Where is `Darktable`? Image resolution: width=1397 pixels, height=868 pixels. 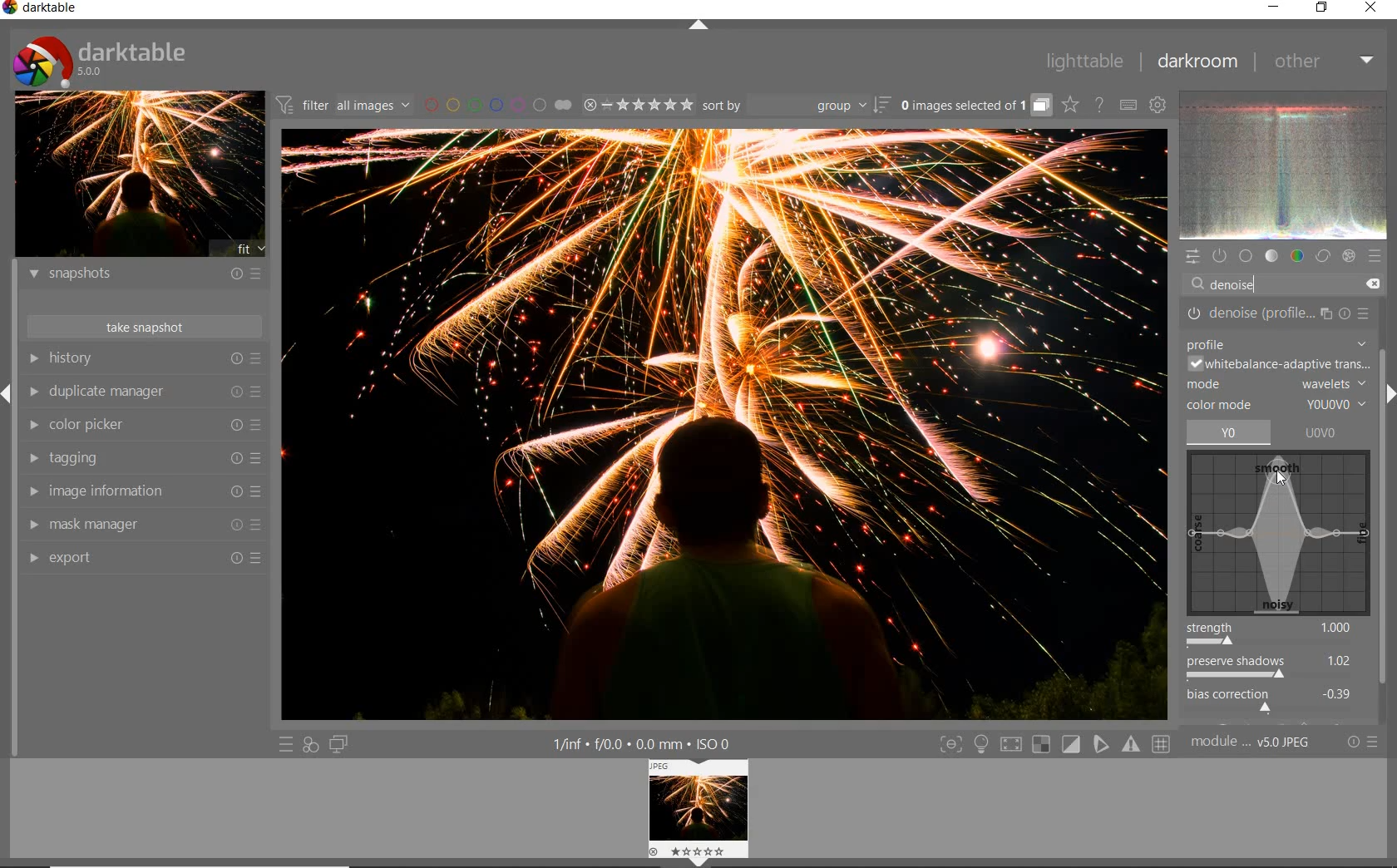 Darktable is located at coordinates (42, 9).